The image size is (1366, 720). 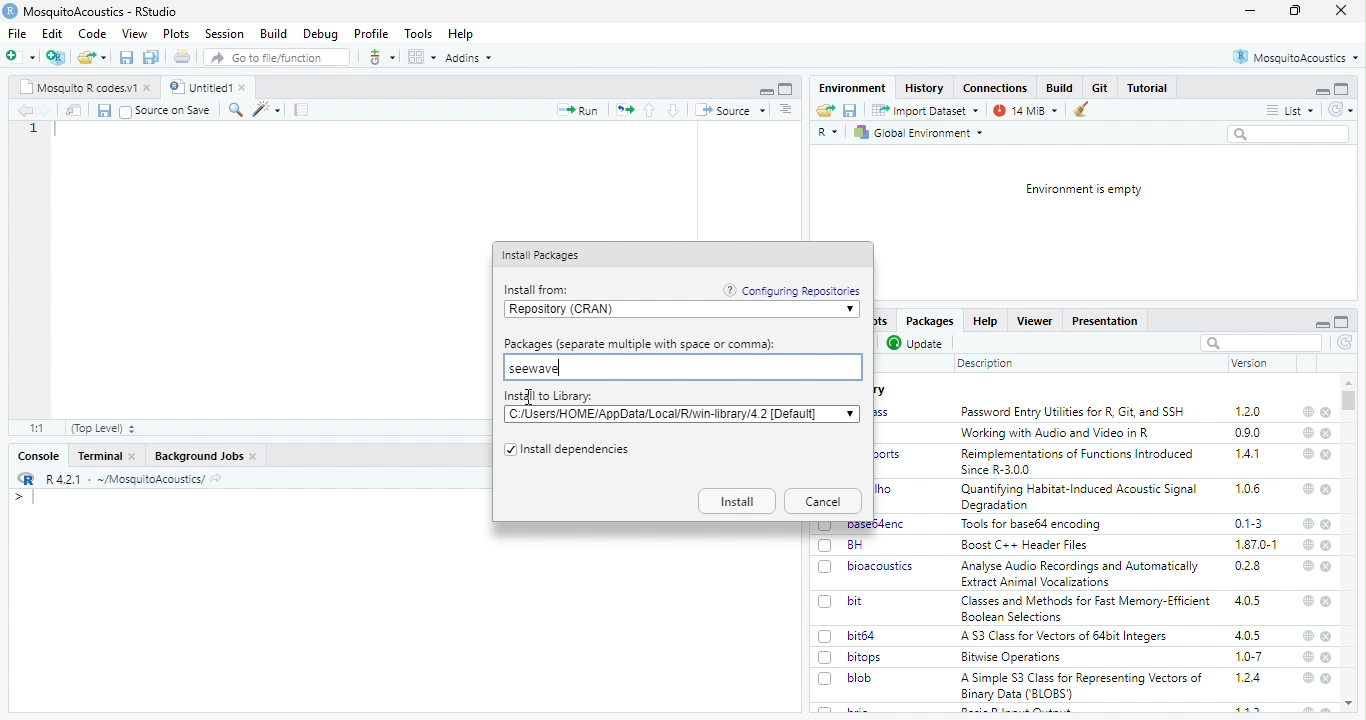 I want to click on close, so click(x=1328, y=567).